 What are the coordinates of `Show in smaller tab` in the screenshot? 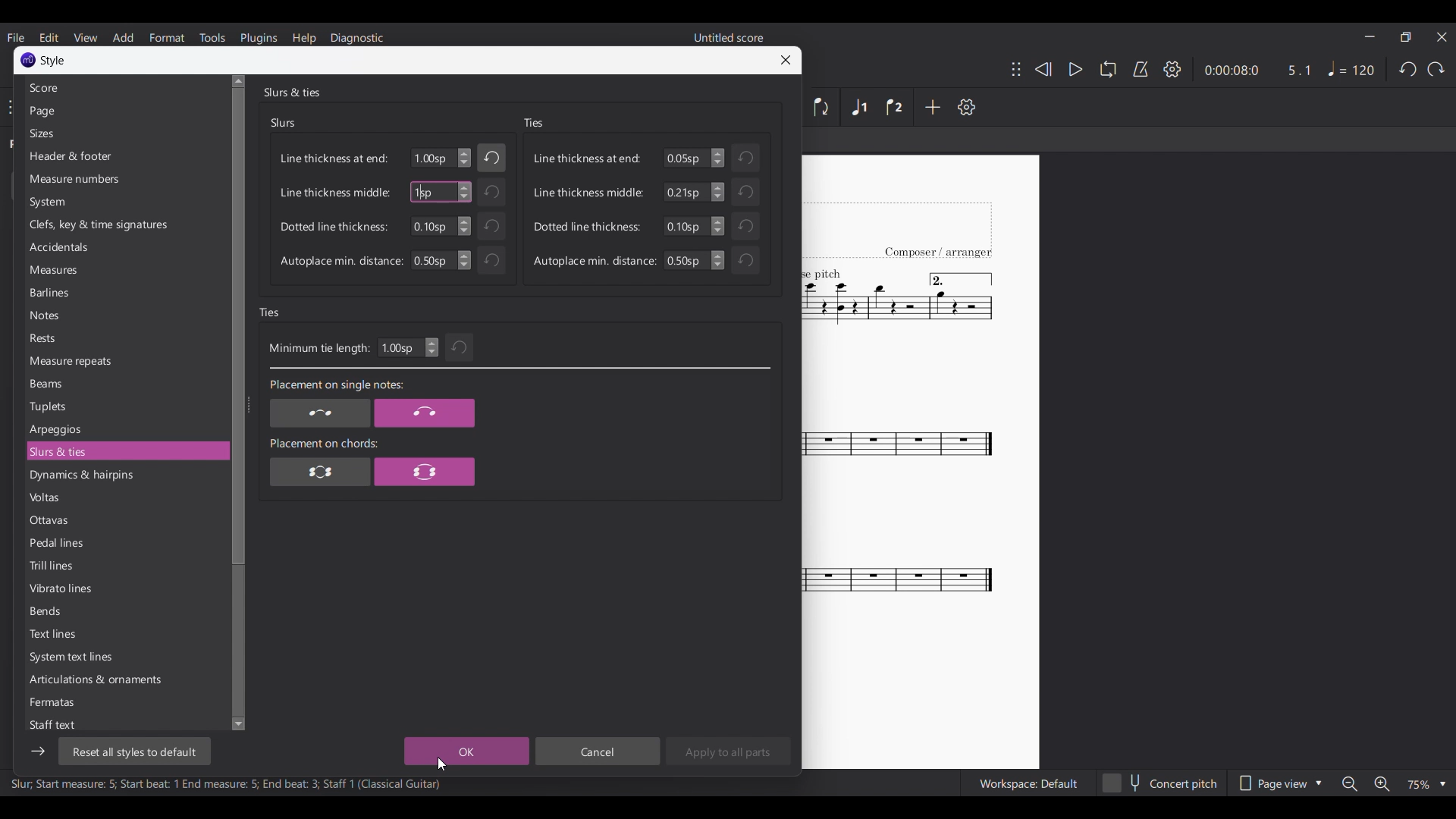 It's located at (1406, 37).